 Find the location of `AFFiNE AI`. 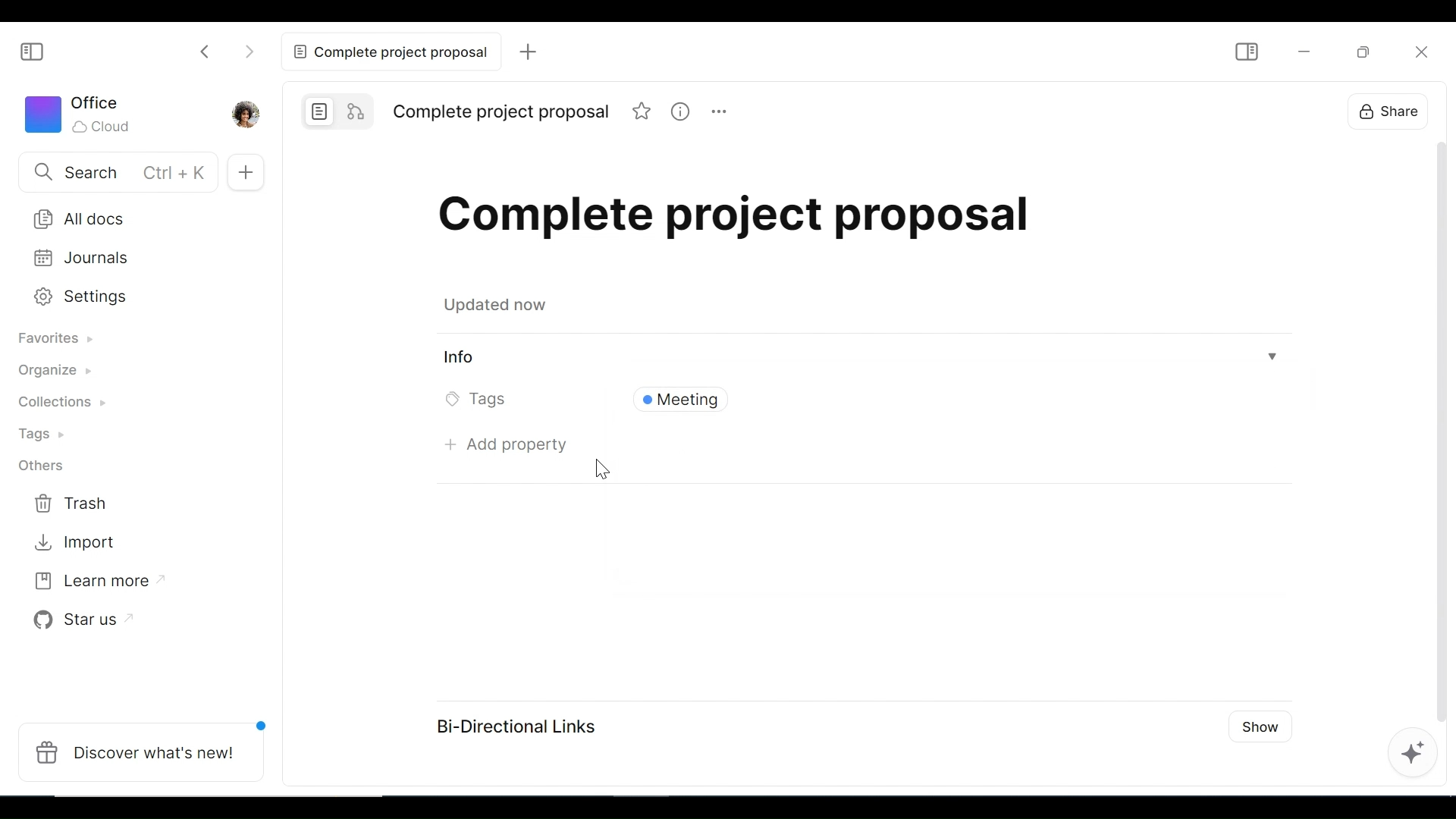

AFFiNE AI is located at coordinates (1417, 753).